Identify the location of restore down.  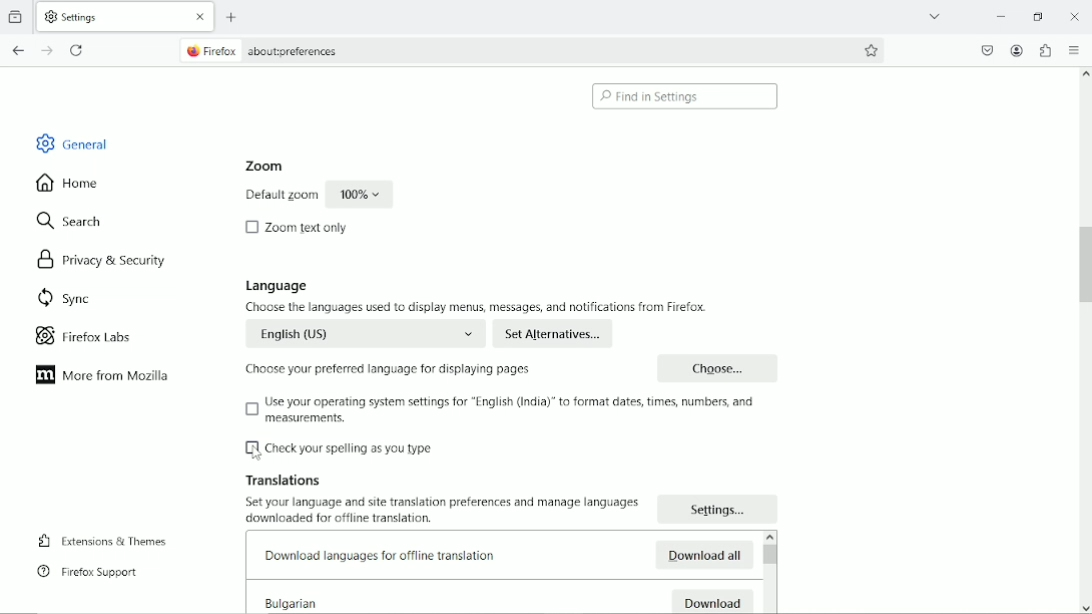
(1038, 16).